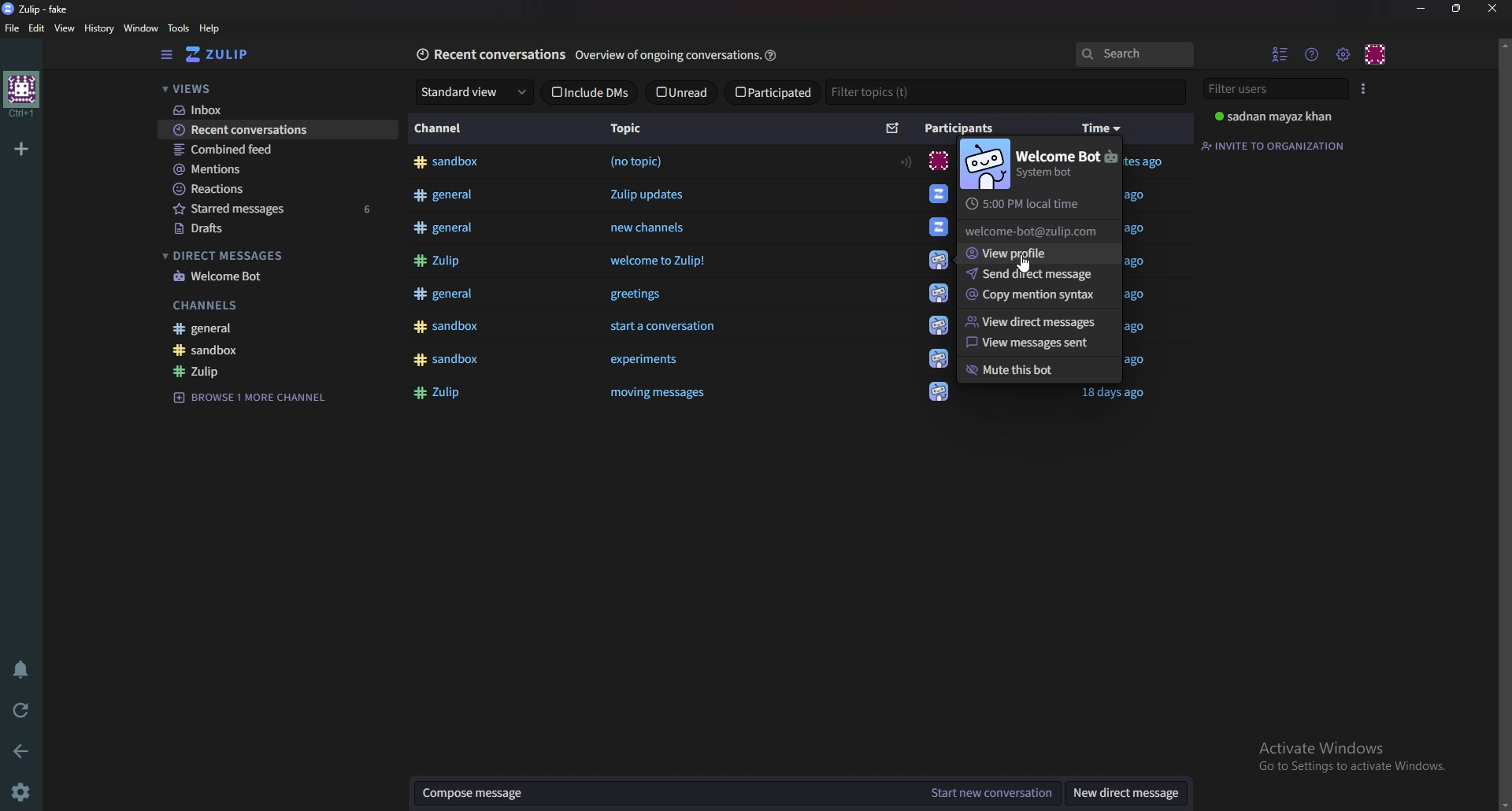  Describe the element at coordinates (639, 163) in the screenshot. I see `(no topic)` at that location.